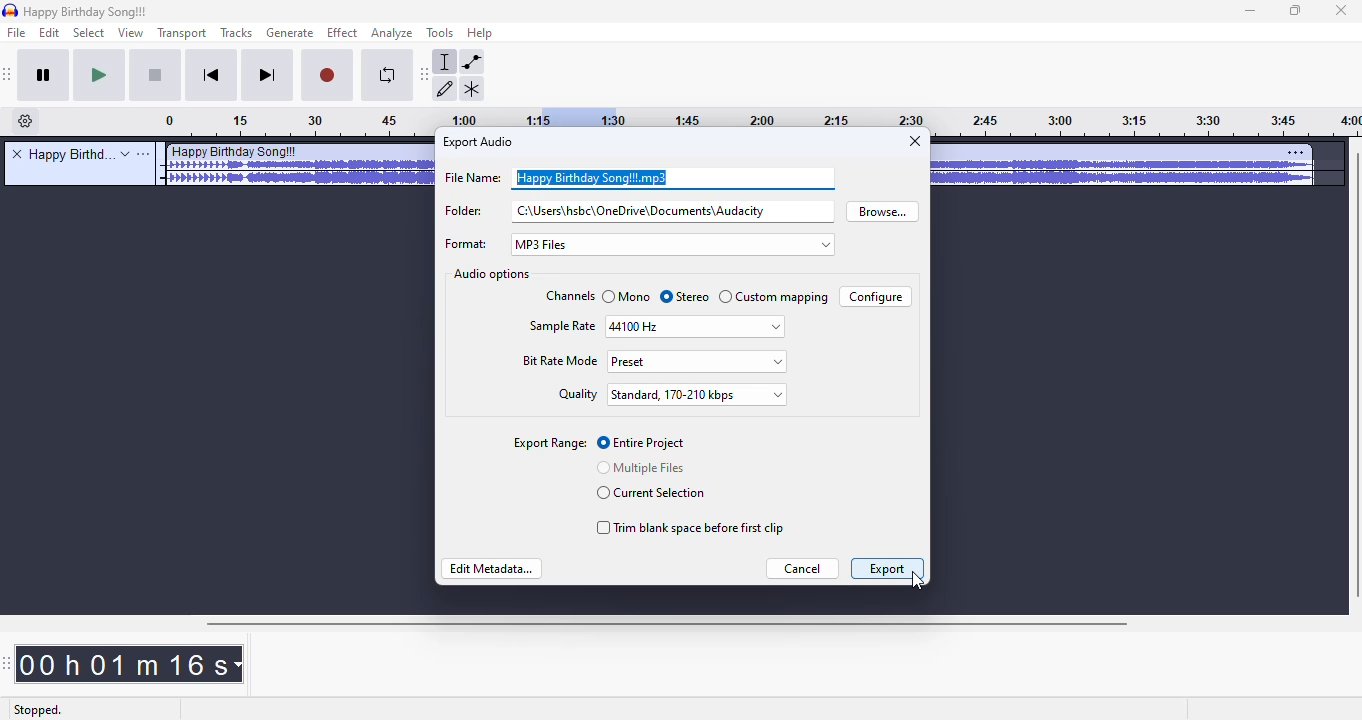  Describe the element at coordinates (466, 245) in the screenshot. I see `format:` at that location.